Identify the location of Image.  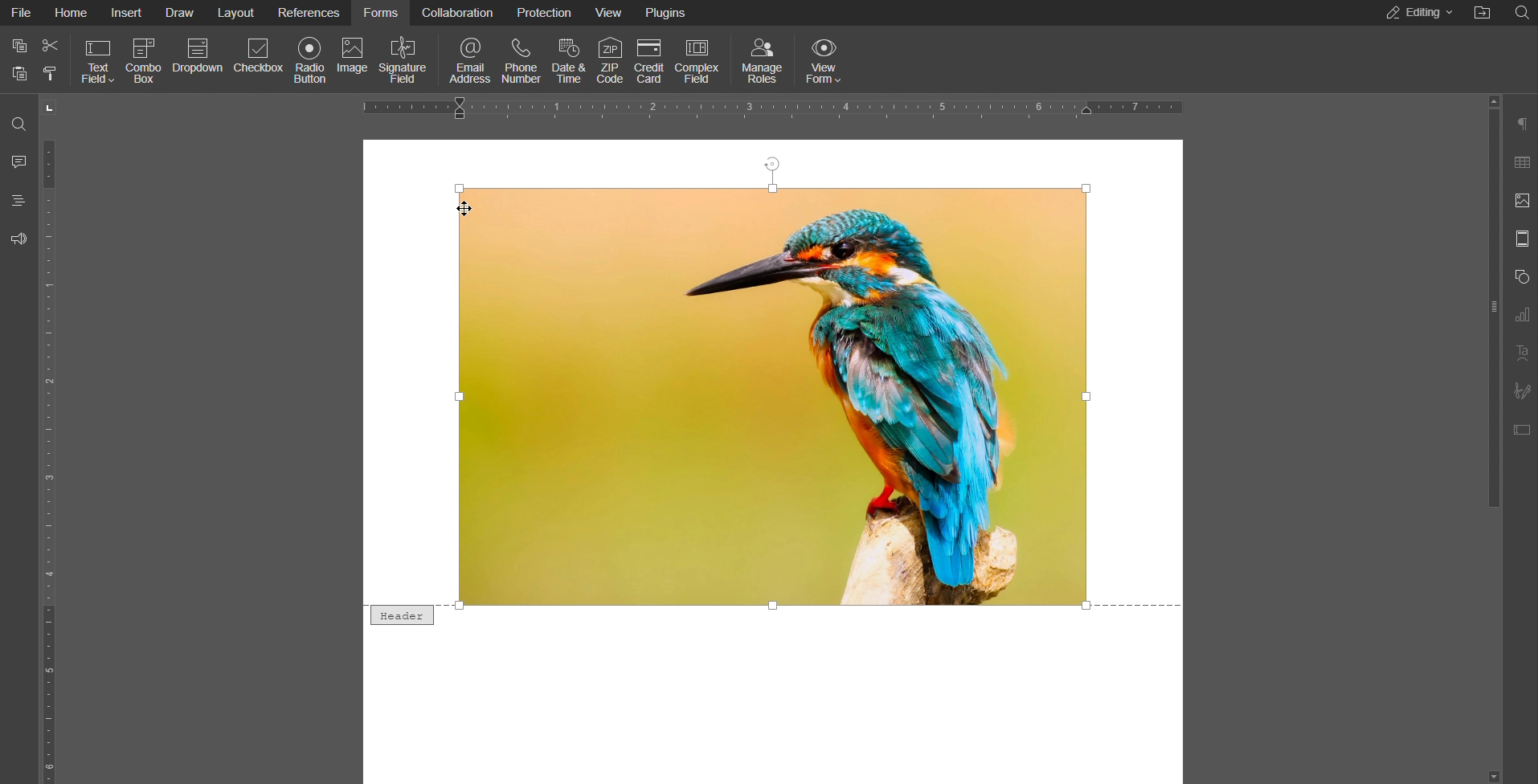
(355, 59).